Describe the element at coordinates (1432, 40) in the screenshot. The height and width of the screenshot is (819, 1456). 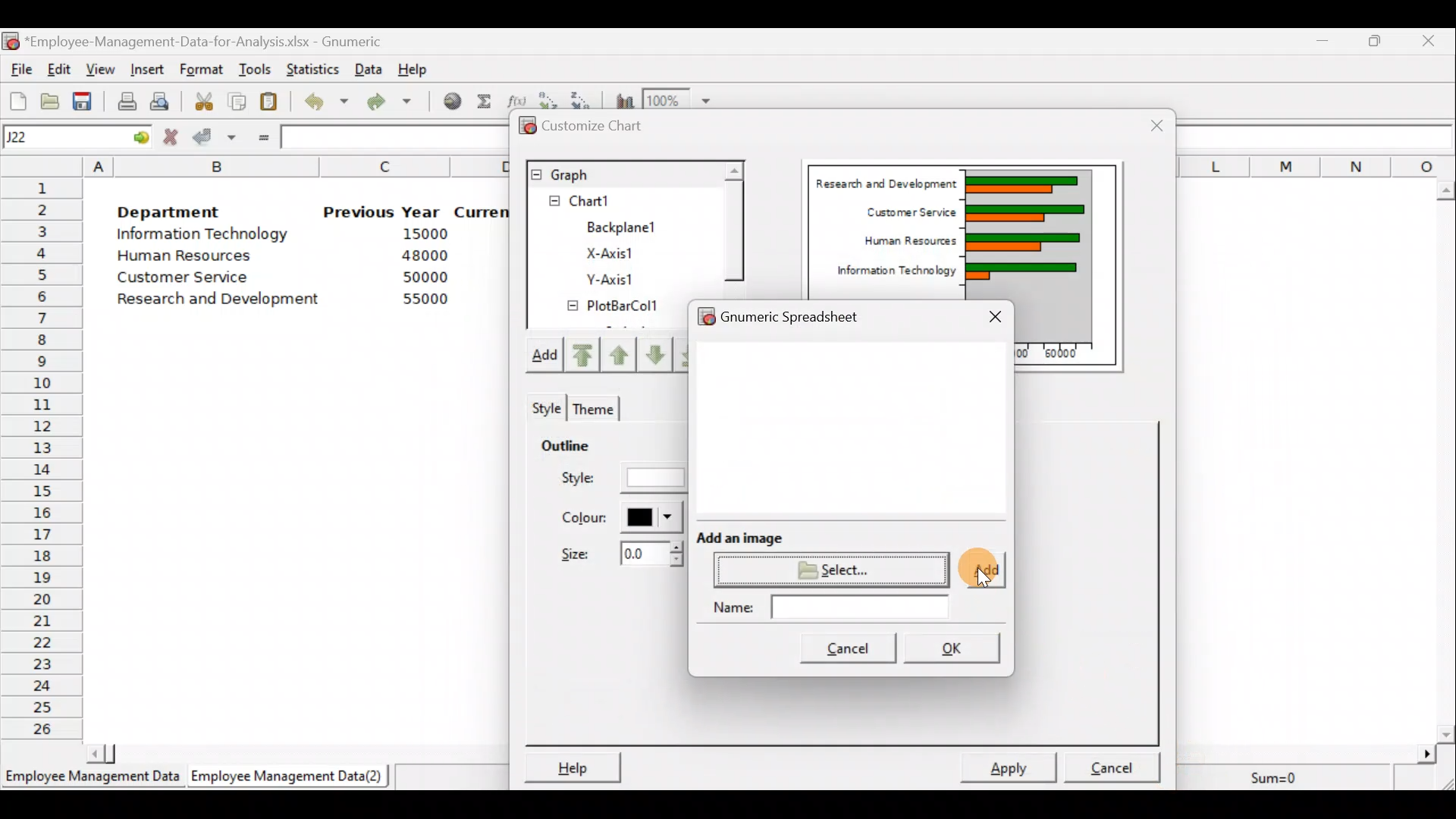
I see `Close` at that location.